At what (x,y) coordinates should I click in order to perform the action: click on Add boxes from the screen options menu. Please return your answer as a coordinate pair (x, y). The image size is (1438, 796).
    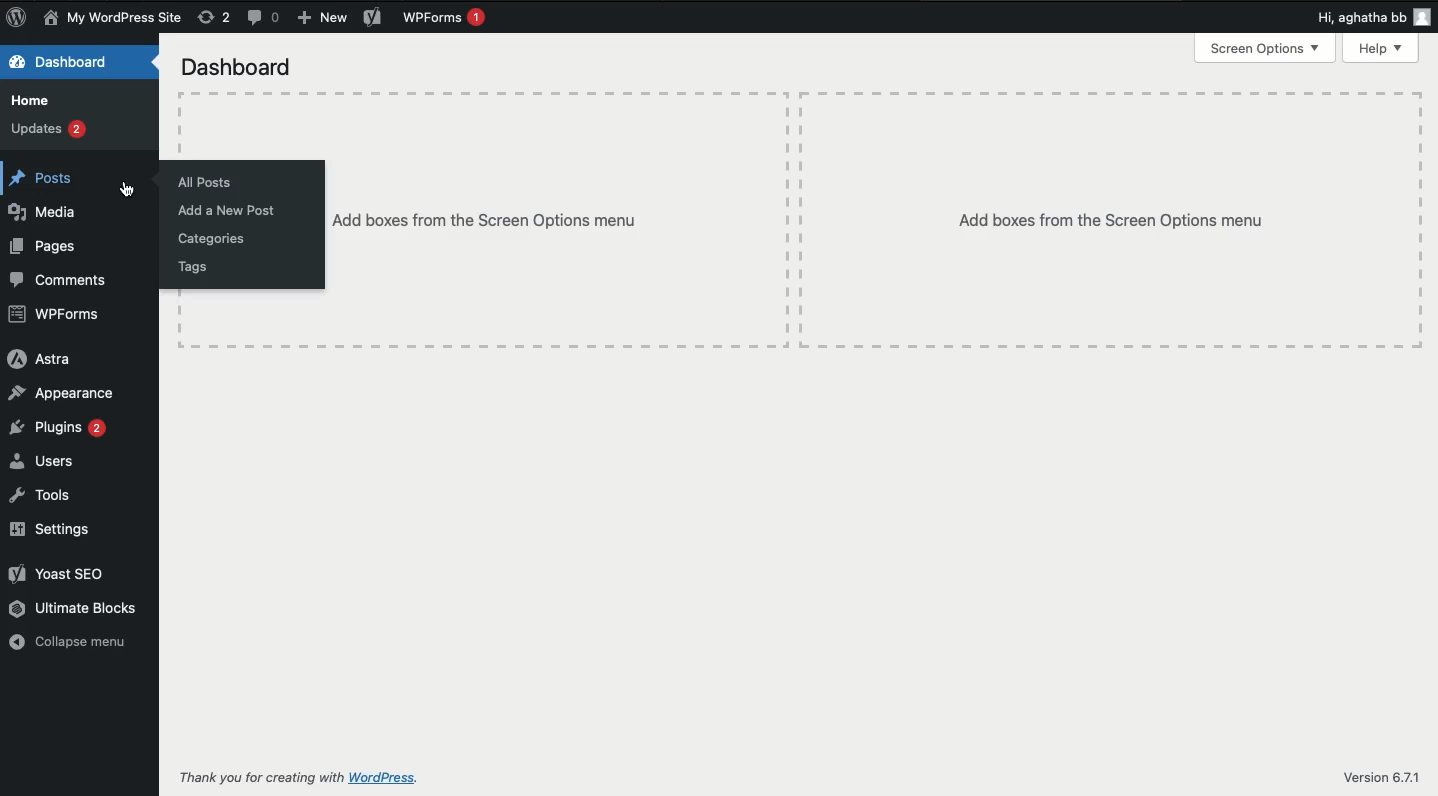
    Looking at the image, I should click on (1111, 220).